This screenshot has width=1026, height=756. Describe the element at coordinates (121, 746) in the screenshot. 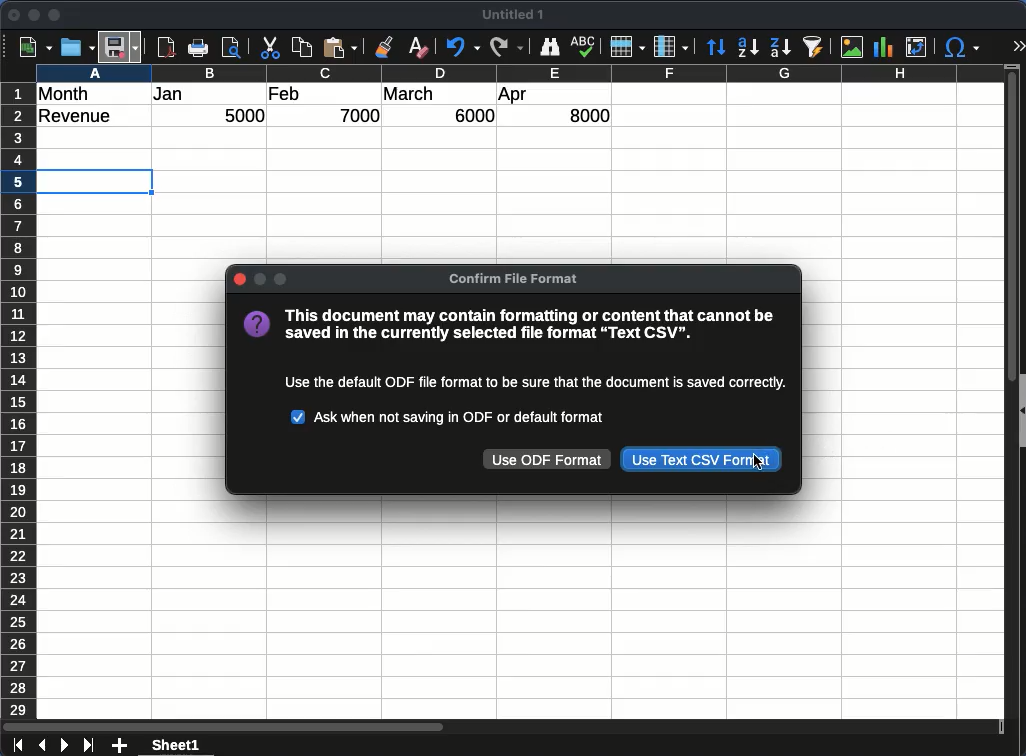

I see `add sheet` at that location.